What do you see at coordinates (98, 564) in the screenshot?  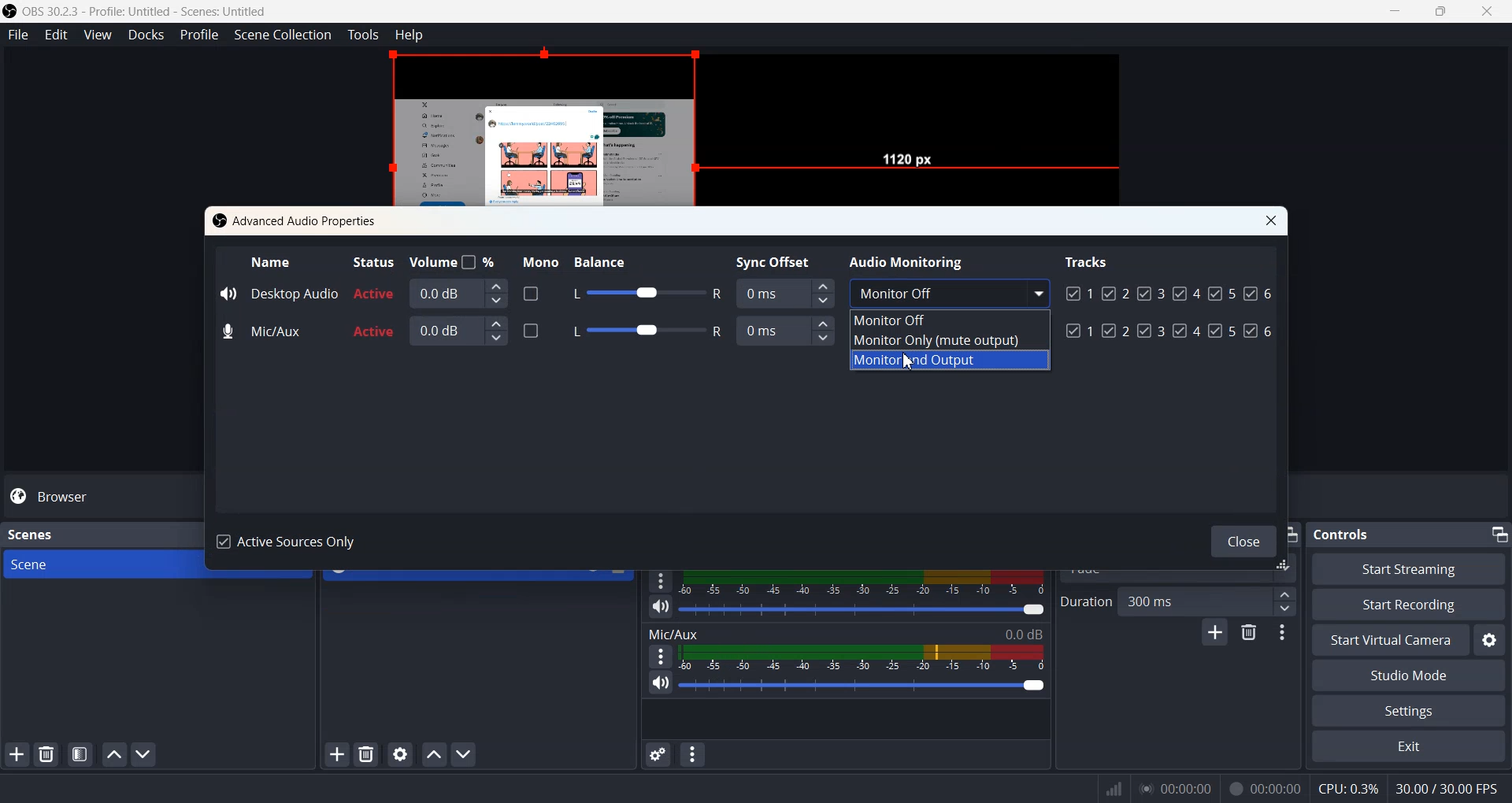 I see `Scene` at bounding box center [98, 564].